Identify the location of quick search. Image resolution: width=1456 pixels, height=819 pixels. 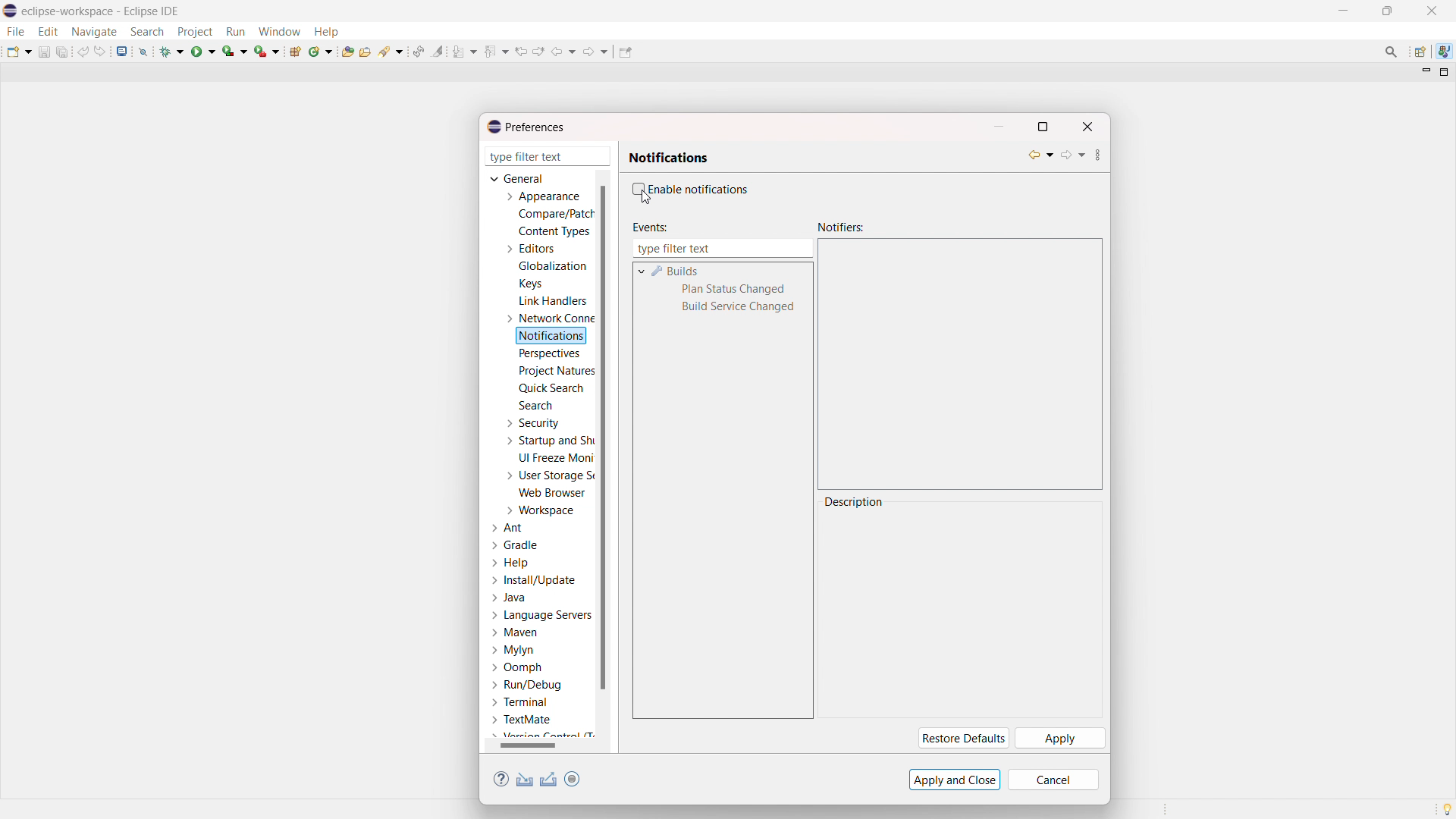
(551, 388).